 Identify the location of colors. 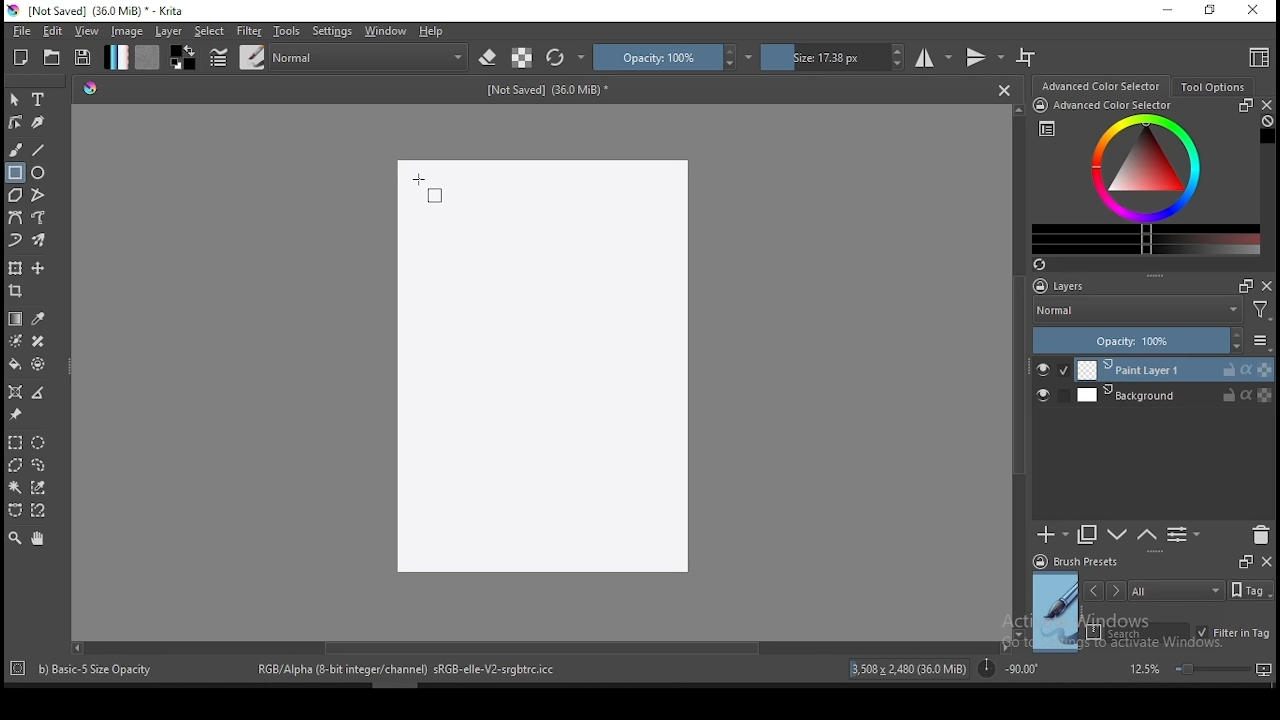
(183, 57).